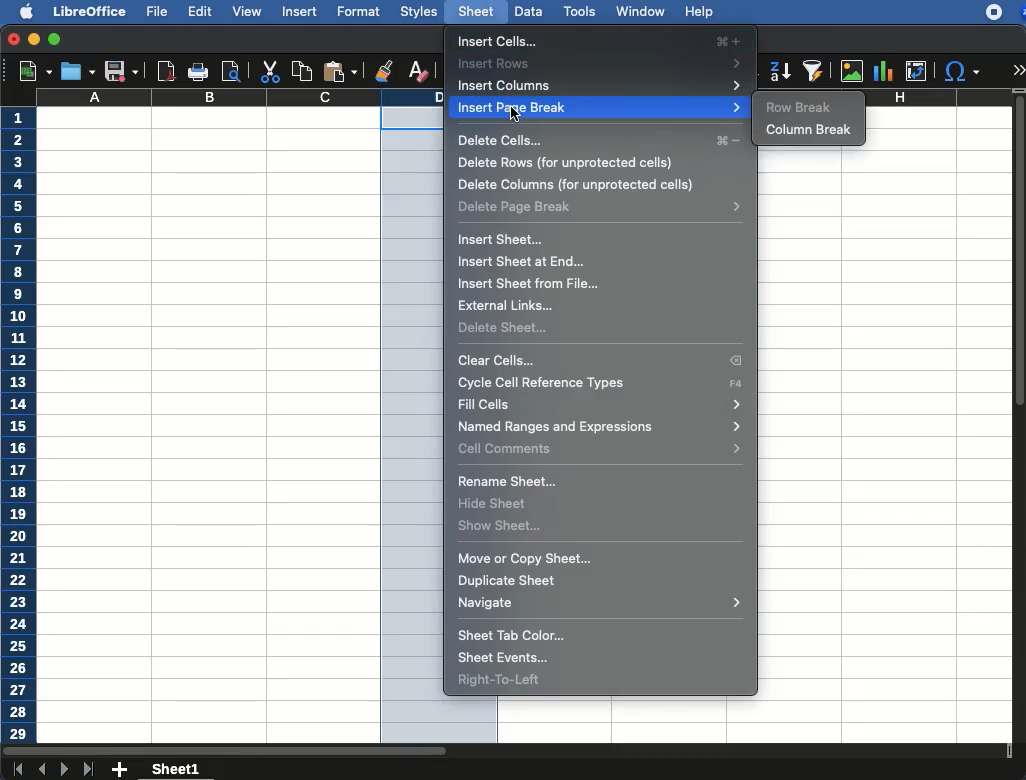 The width and height of the screenshot is (1026, 780). I want to click on print, so click(199, 71).